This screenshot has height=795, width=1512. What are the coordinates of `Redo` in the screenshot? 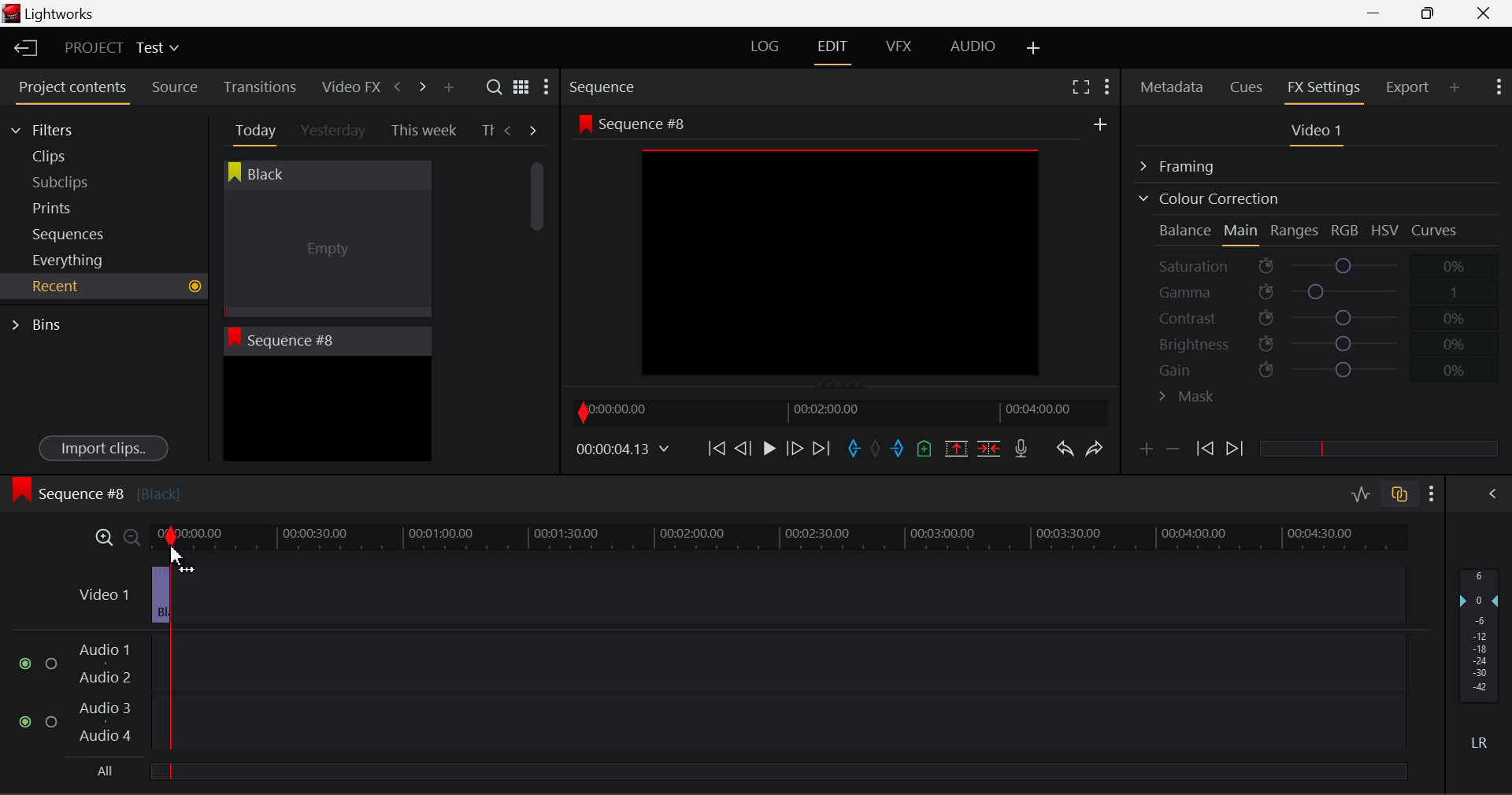 It's located at (1095, 448).